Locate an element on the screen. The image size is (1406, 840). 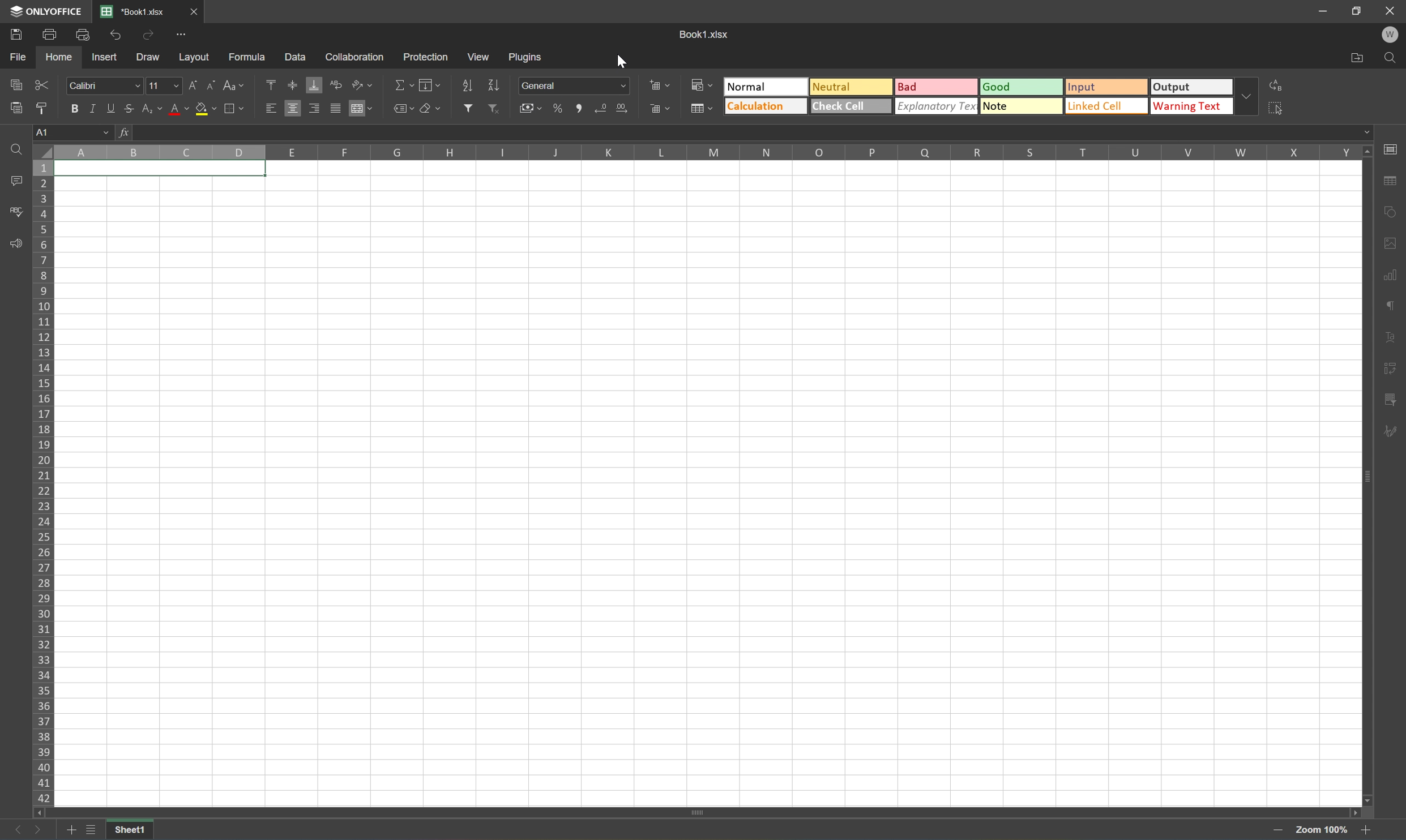
Text art settings is located at coordinates (1390, 338).